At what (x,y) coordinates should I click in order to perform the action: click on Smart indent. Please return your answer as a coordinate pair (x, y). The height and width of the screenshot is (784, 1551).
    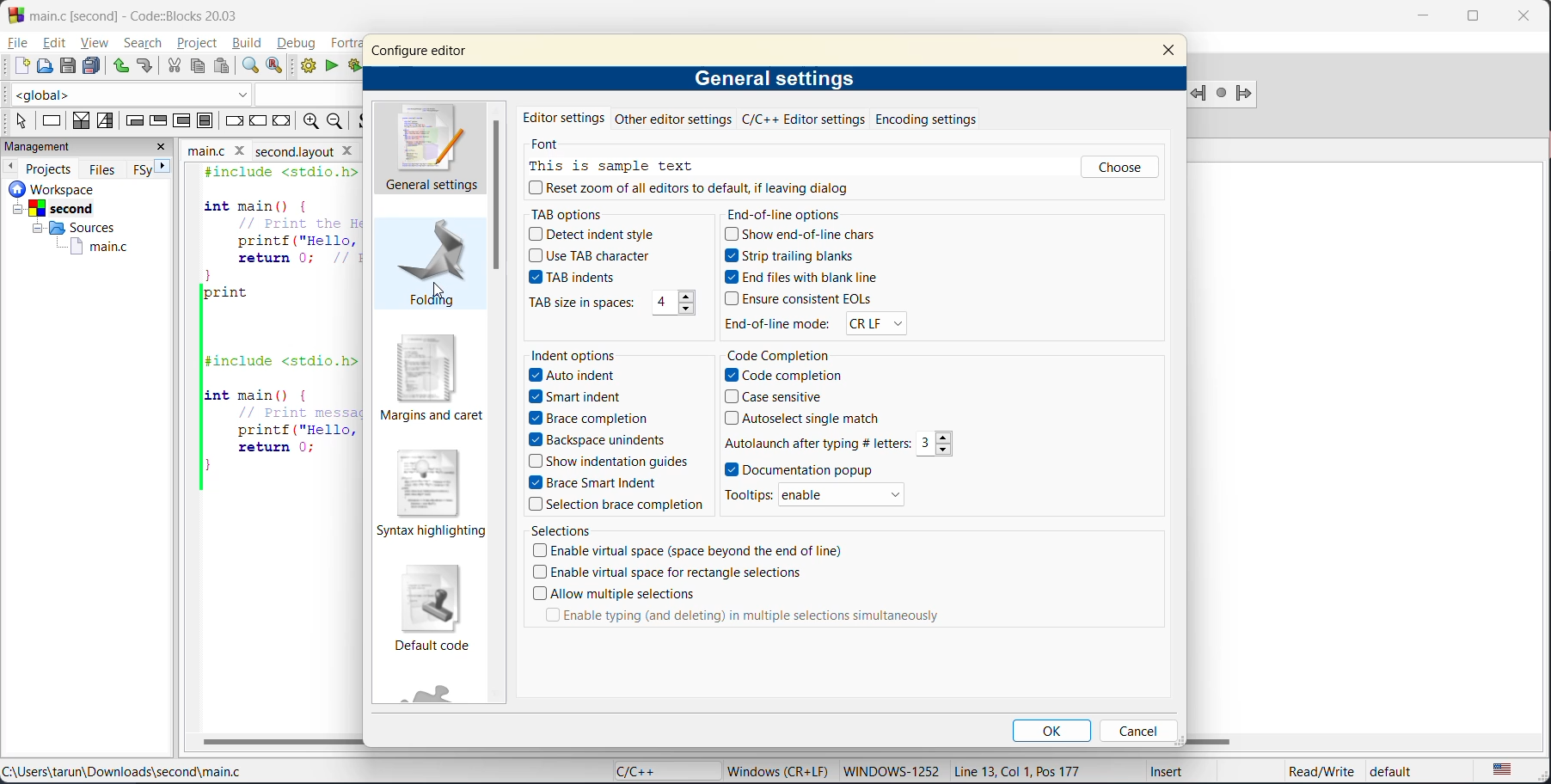
    Looking at the image, I should click on (576, 395).